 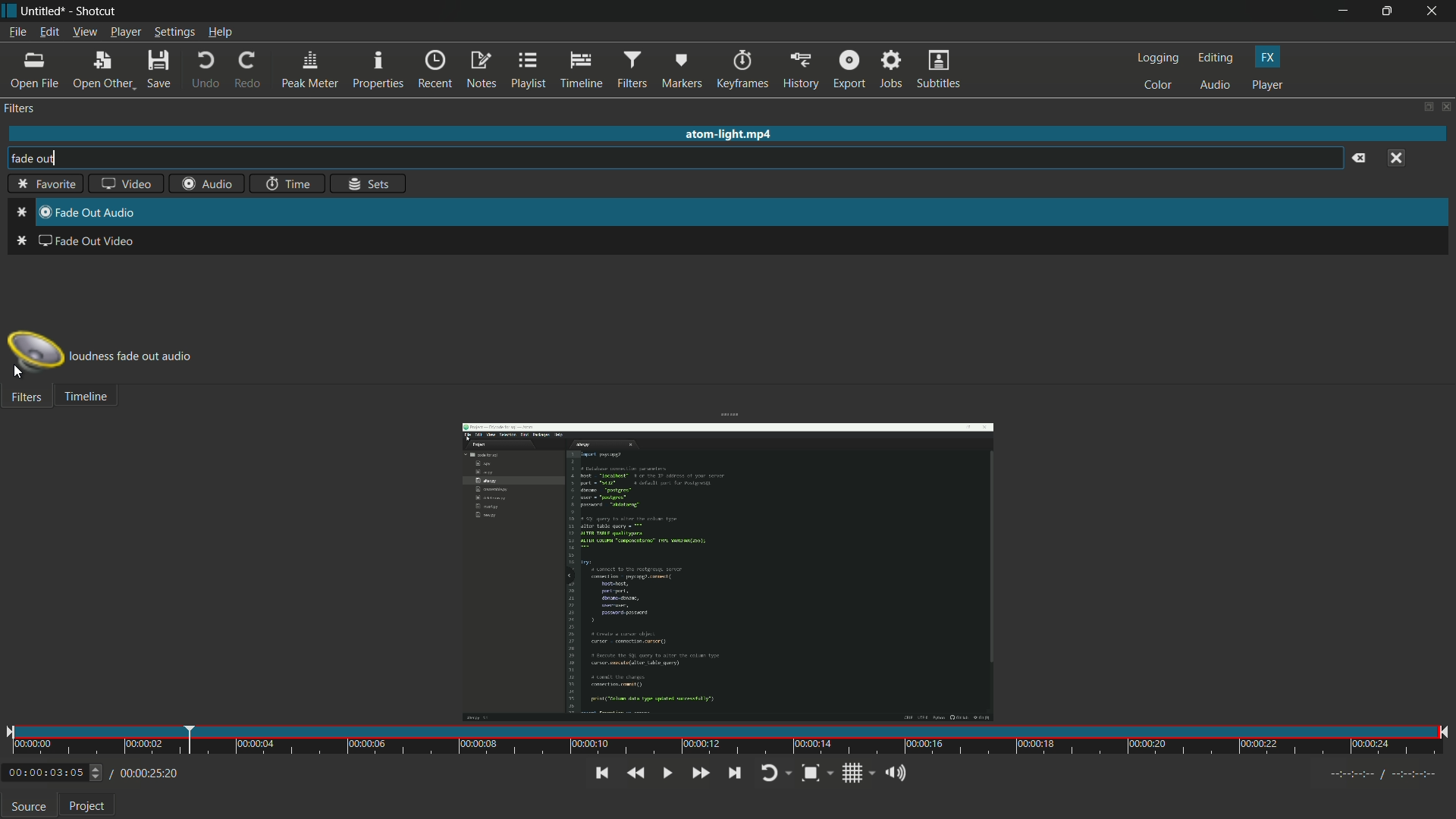 I want to click on total time, so click(x=147, y=773).